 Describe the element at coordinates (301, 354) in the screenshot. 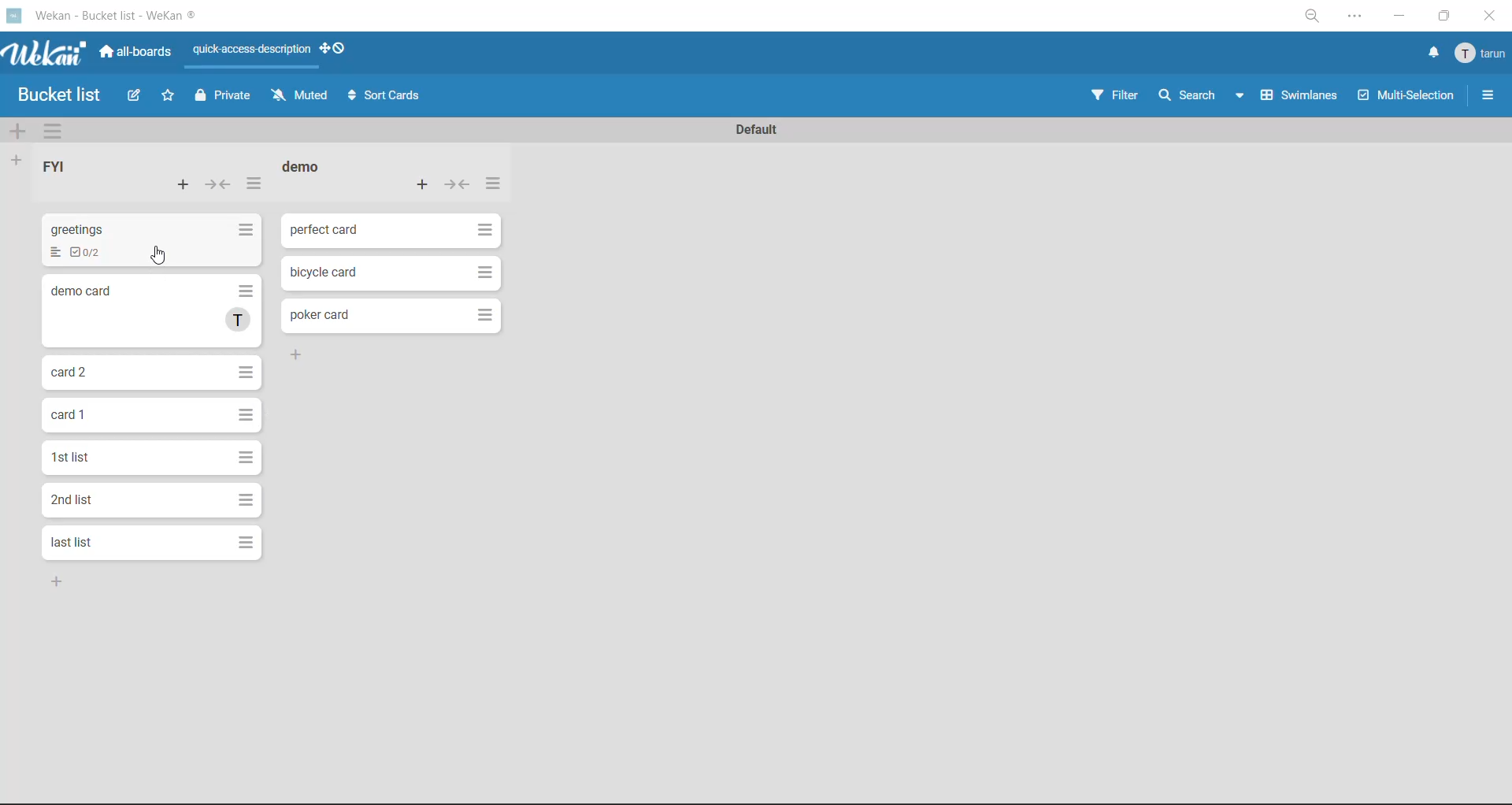

I see `add` at that location.